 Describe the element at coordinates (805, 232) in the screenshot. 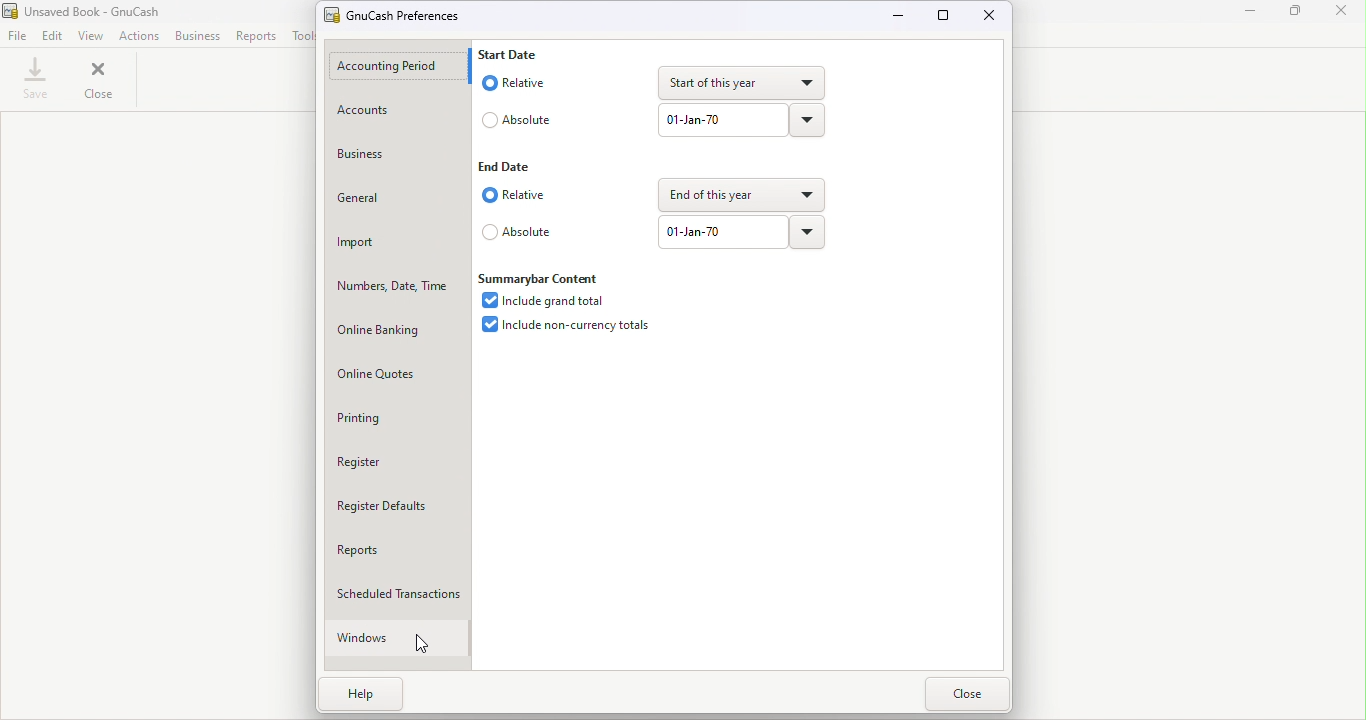

I see `Drop down` at that location.